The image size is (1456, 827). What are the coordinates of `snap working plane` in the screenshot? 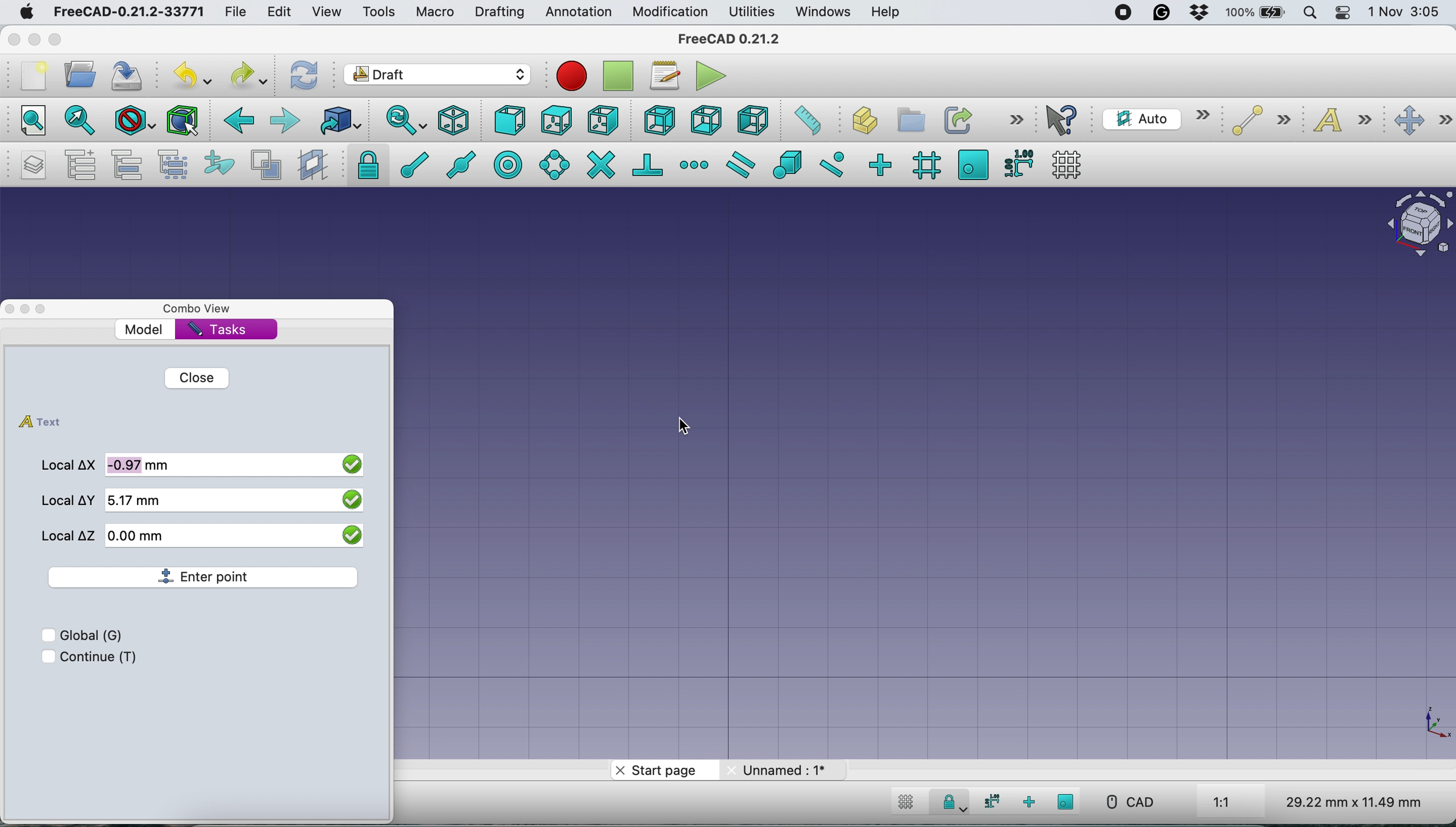 It's located at (1071, 800).